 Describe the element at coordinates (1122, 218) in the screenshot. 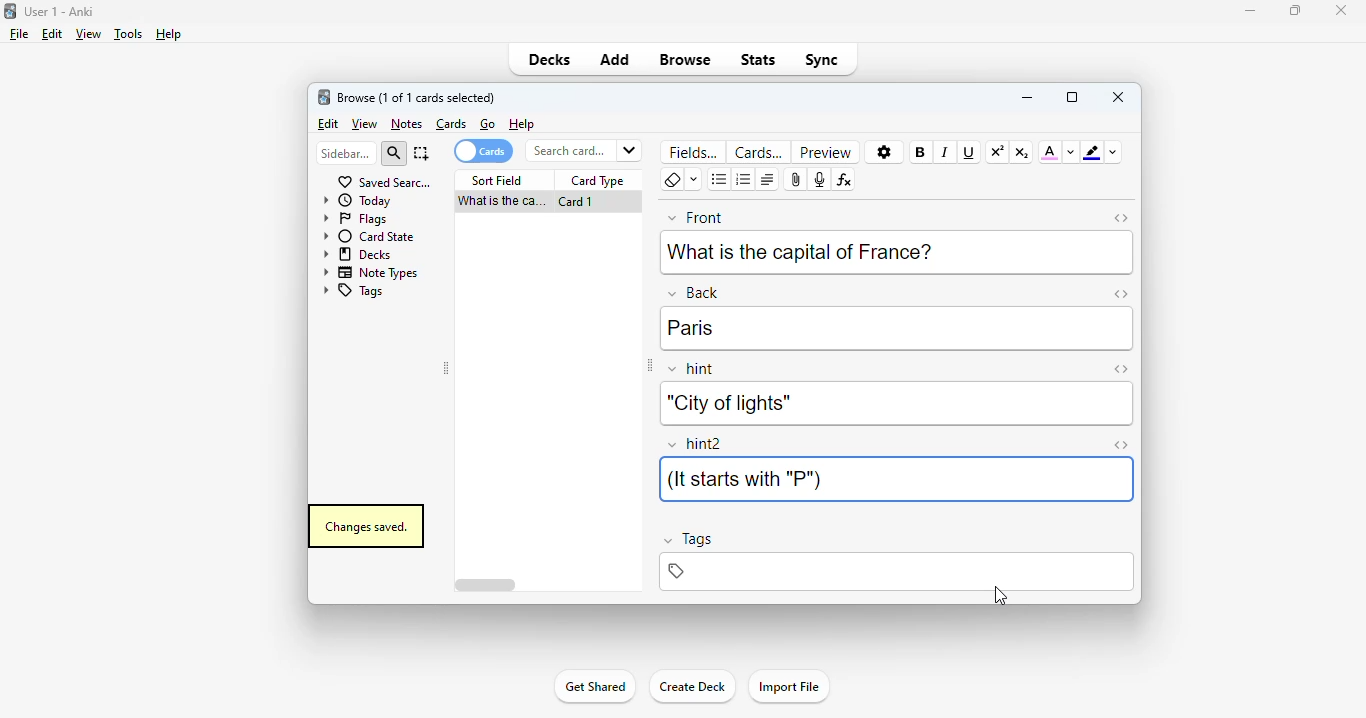

I see `toggle HTML editor` at that location.